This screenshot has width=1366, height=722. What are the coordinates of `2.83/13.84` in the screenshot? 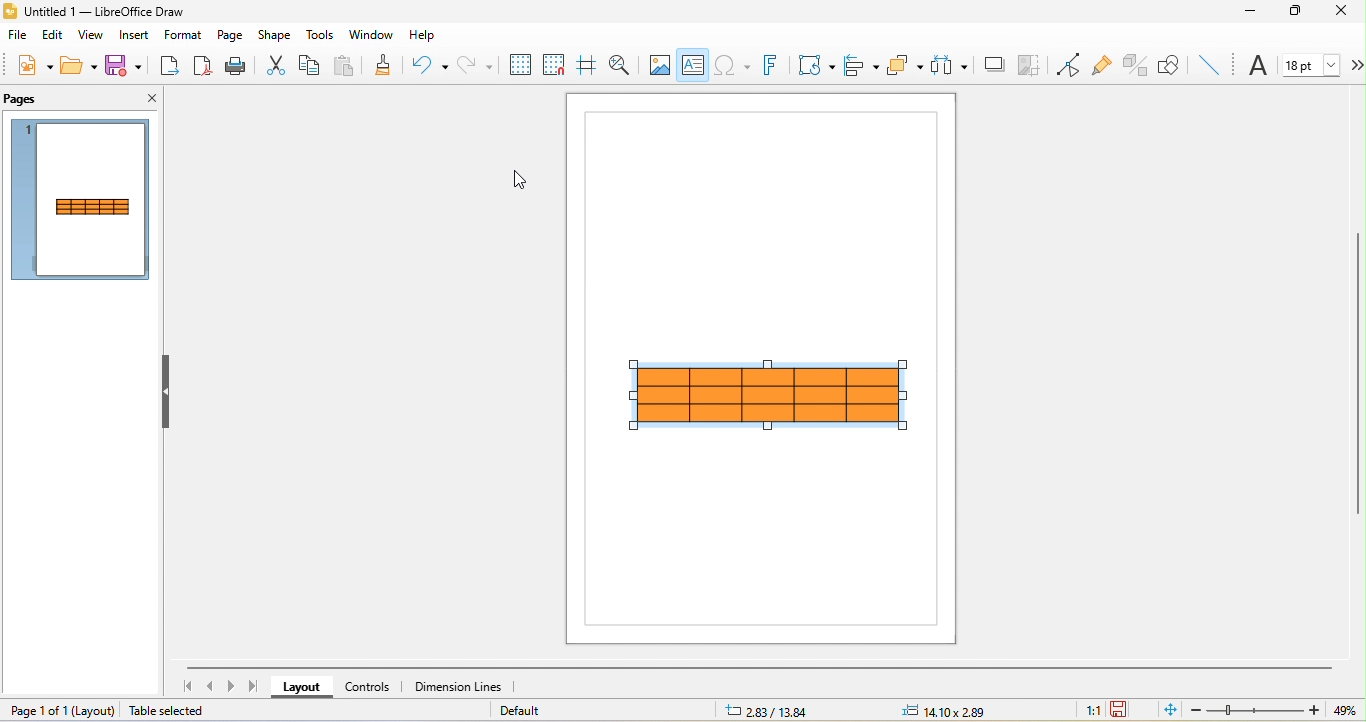 It's located at (770, 711).